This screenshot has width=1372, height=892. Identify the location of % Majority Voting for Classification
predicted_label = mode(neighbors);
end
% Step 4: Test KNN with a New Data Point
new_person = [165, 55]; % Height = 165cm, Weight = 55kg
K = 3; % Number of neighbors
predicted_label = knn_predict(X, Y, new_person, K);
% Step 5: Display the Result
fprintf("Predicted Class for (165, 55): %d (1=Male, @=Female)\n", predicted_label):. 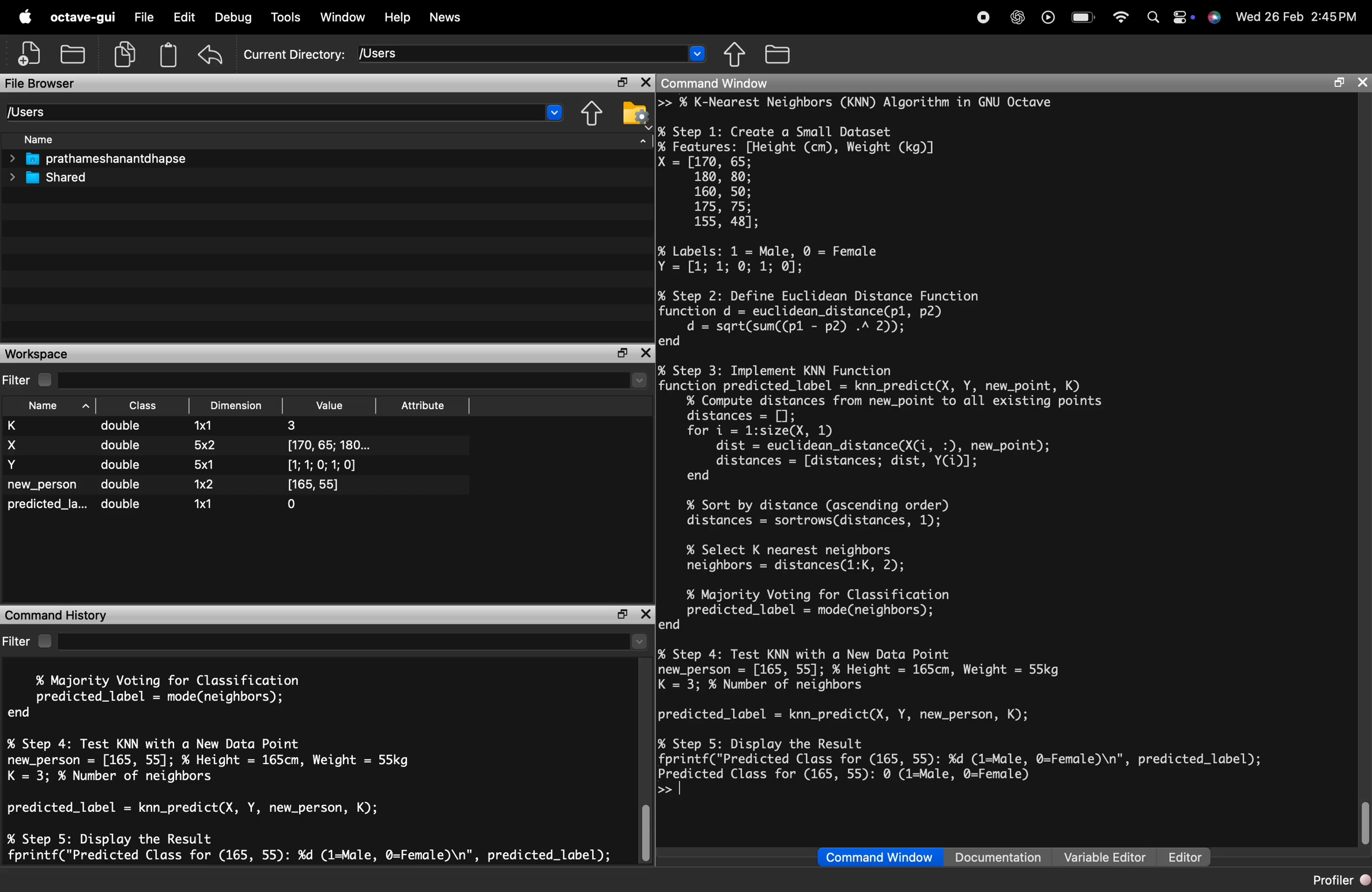
(309, 764).